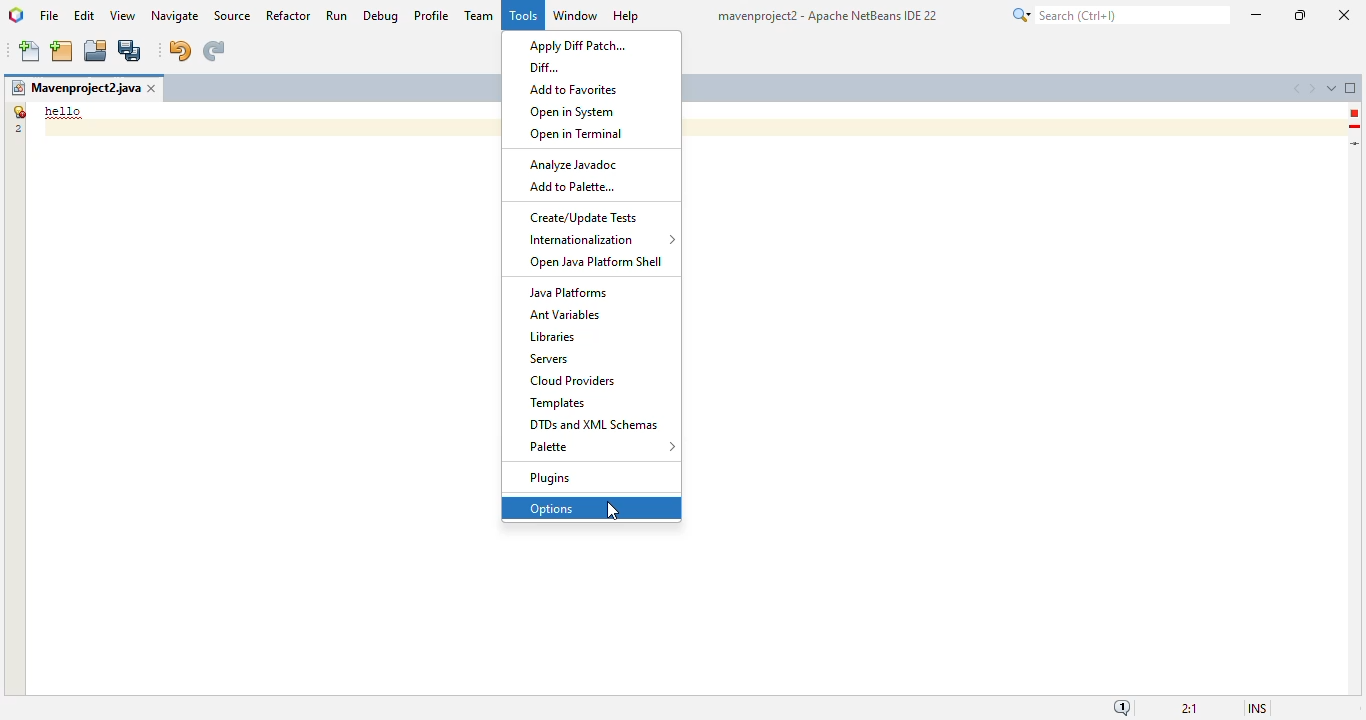 The width and height of the screenshot is (1366, 720). I want to click on error, so click(1354, 113).